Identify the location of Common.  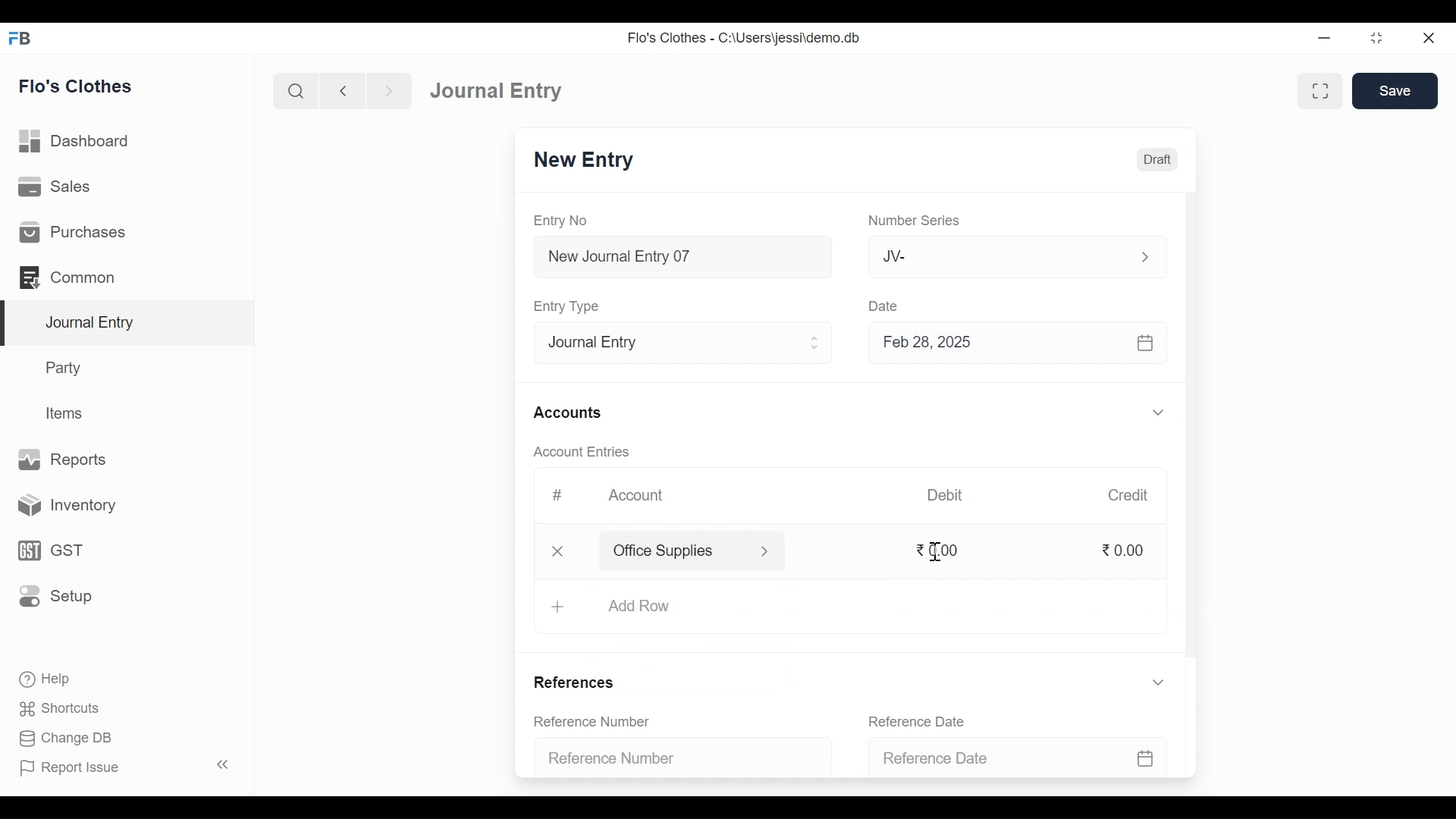
(70, 277).